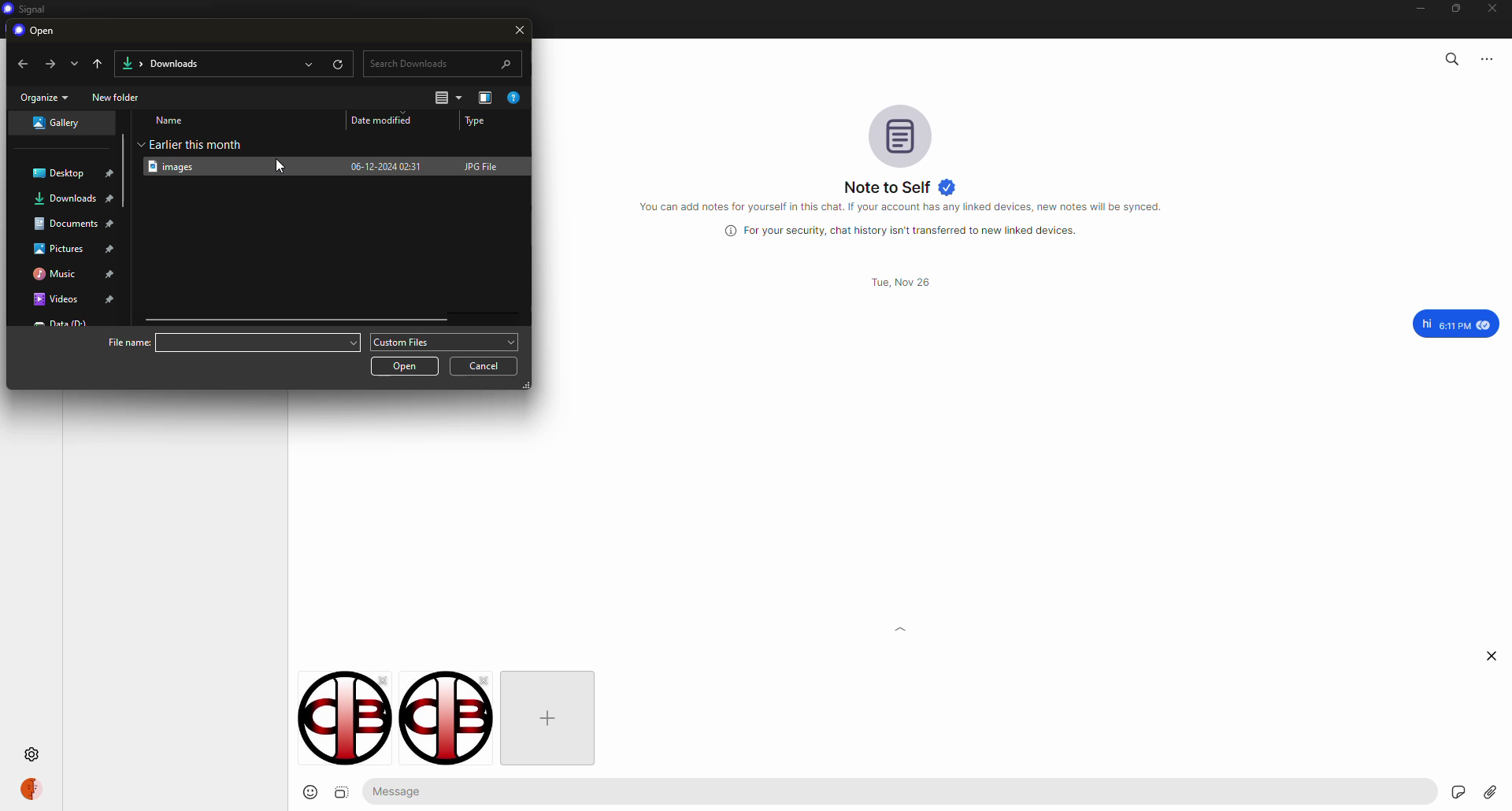  I want to click on search, so click(444, 62).